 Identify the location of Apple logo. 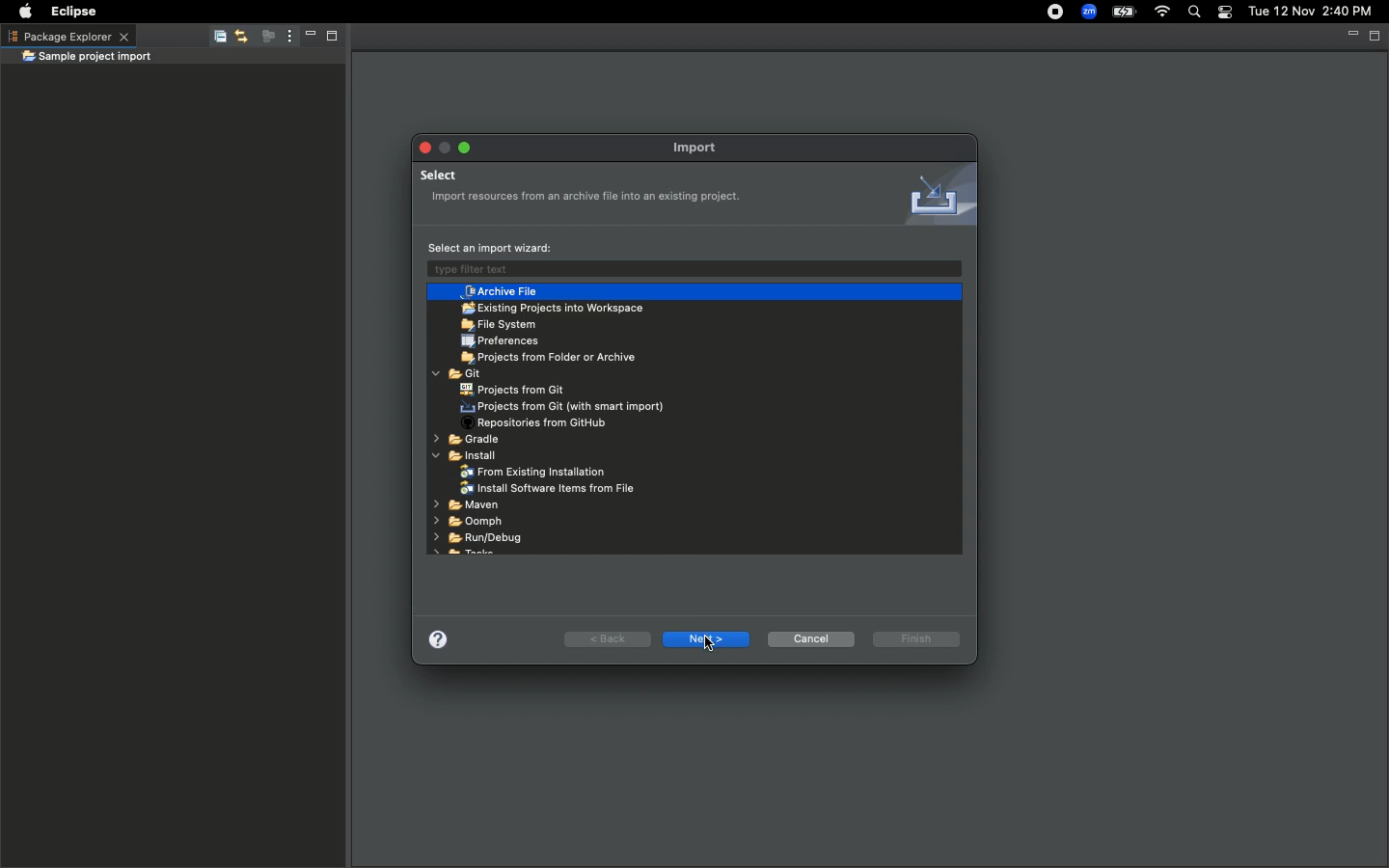
(25, 10).